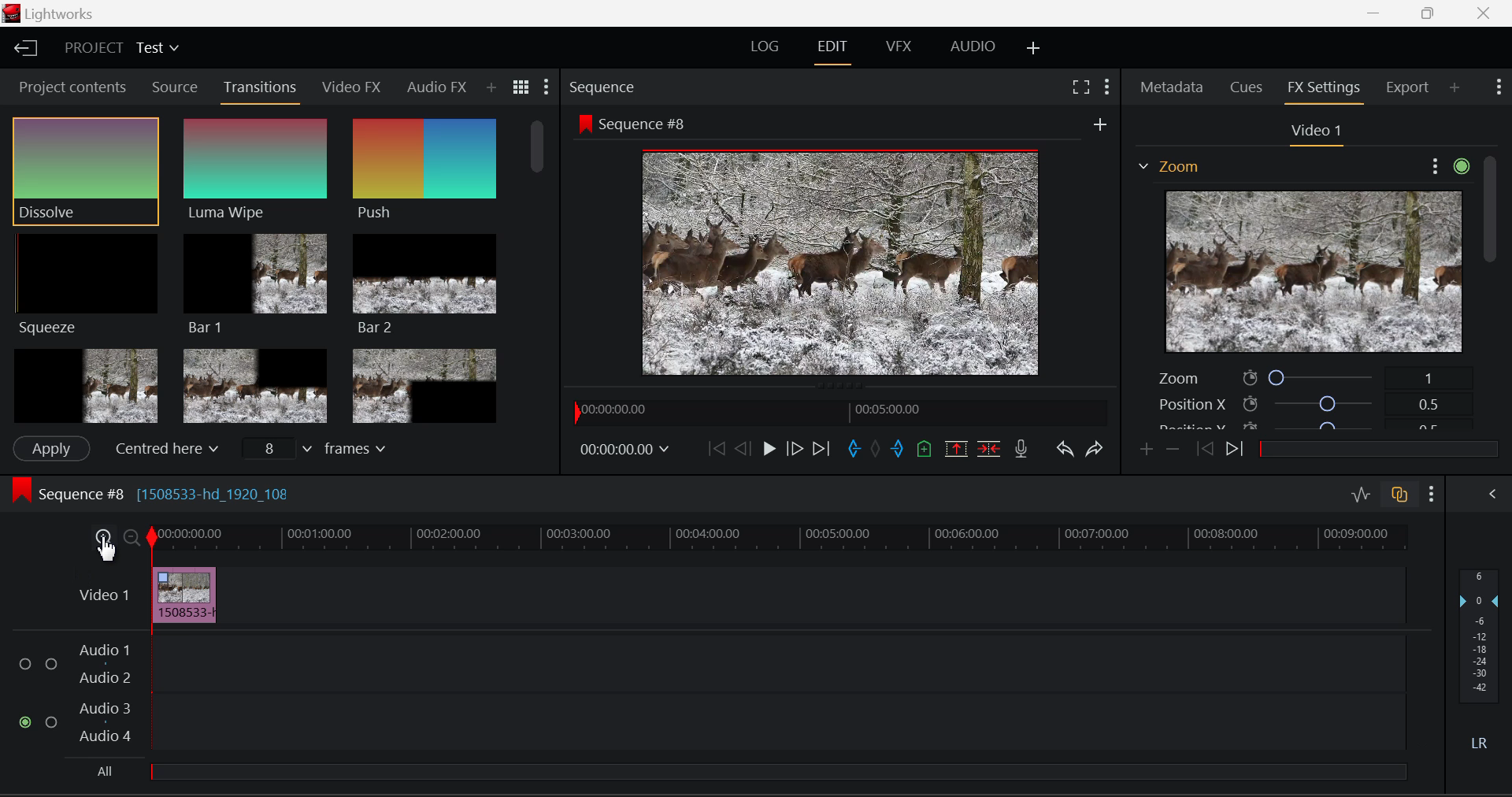  What do you see at coordinates (426, 172) in the screenshot?
I see `Push` at bounding box center [426, 172].